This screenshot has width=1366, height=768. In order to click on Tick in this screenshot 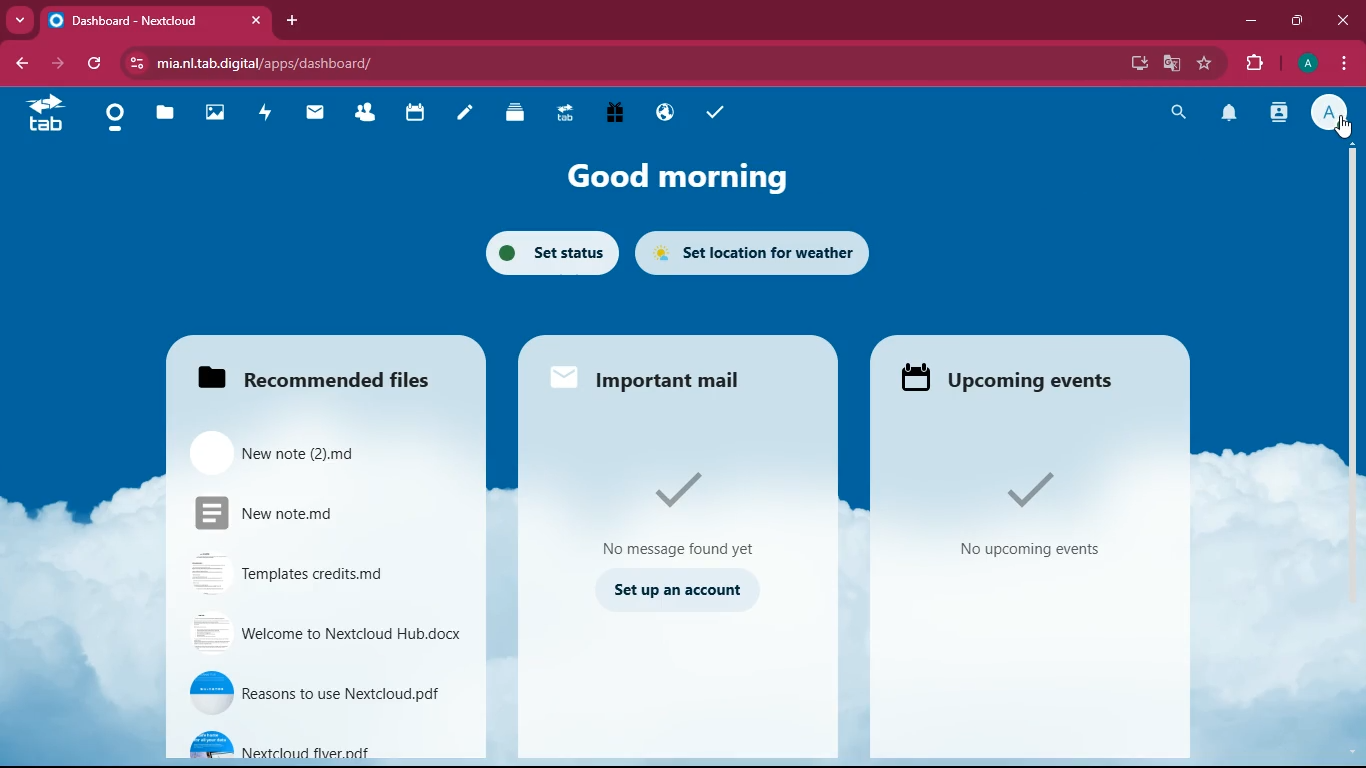, I will do `click(681, 491)`.